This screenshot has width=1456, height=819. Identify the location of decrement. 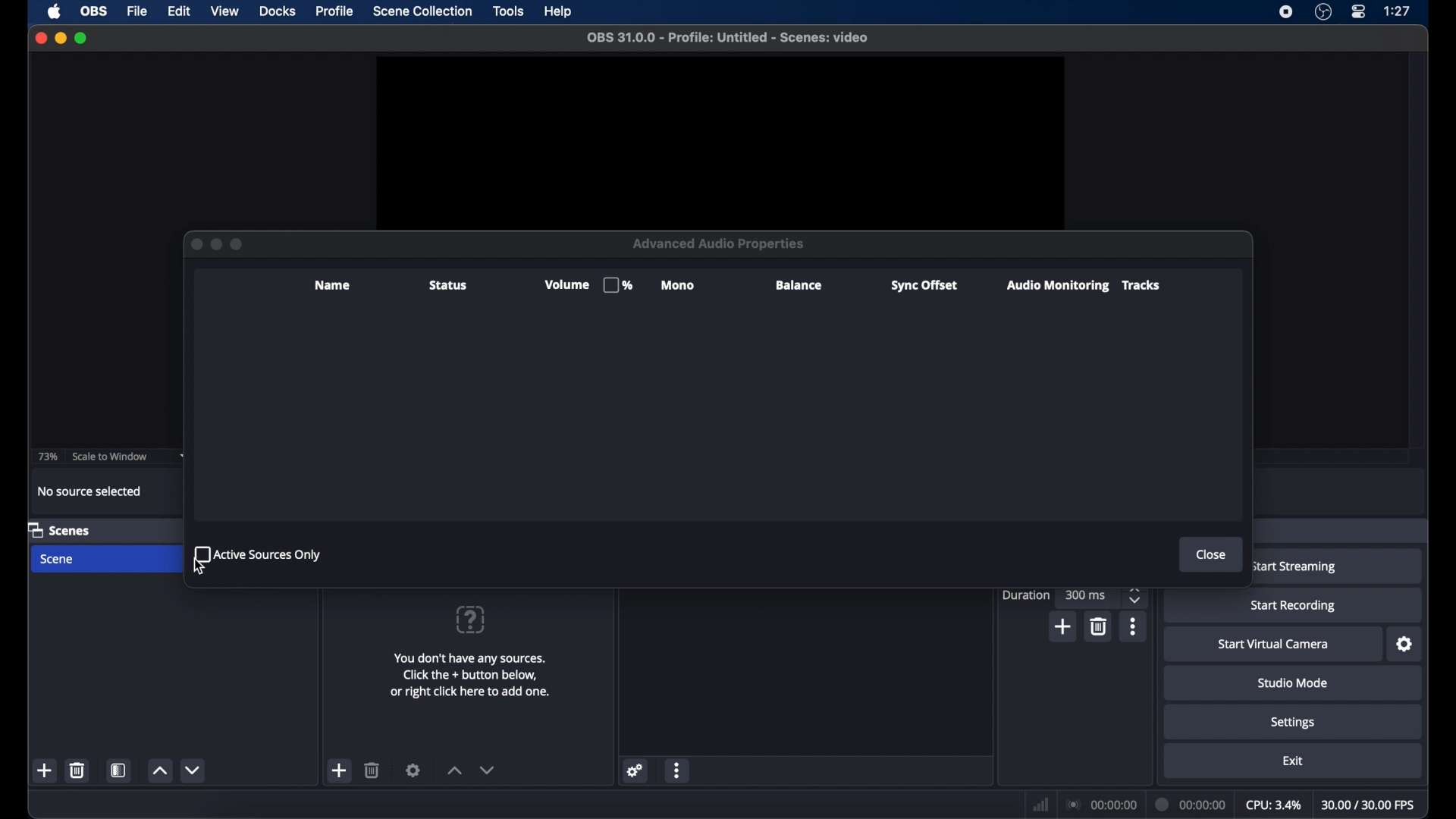
(196, 770).